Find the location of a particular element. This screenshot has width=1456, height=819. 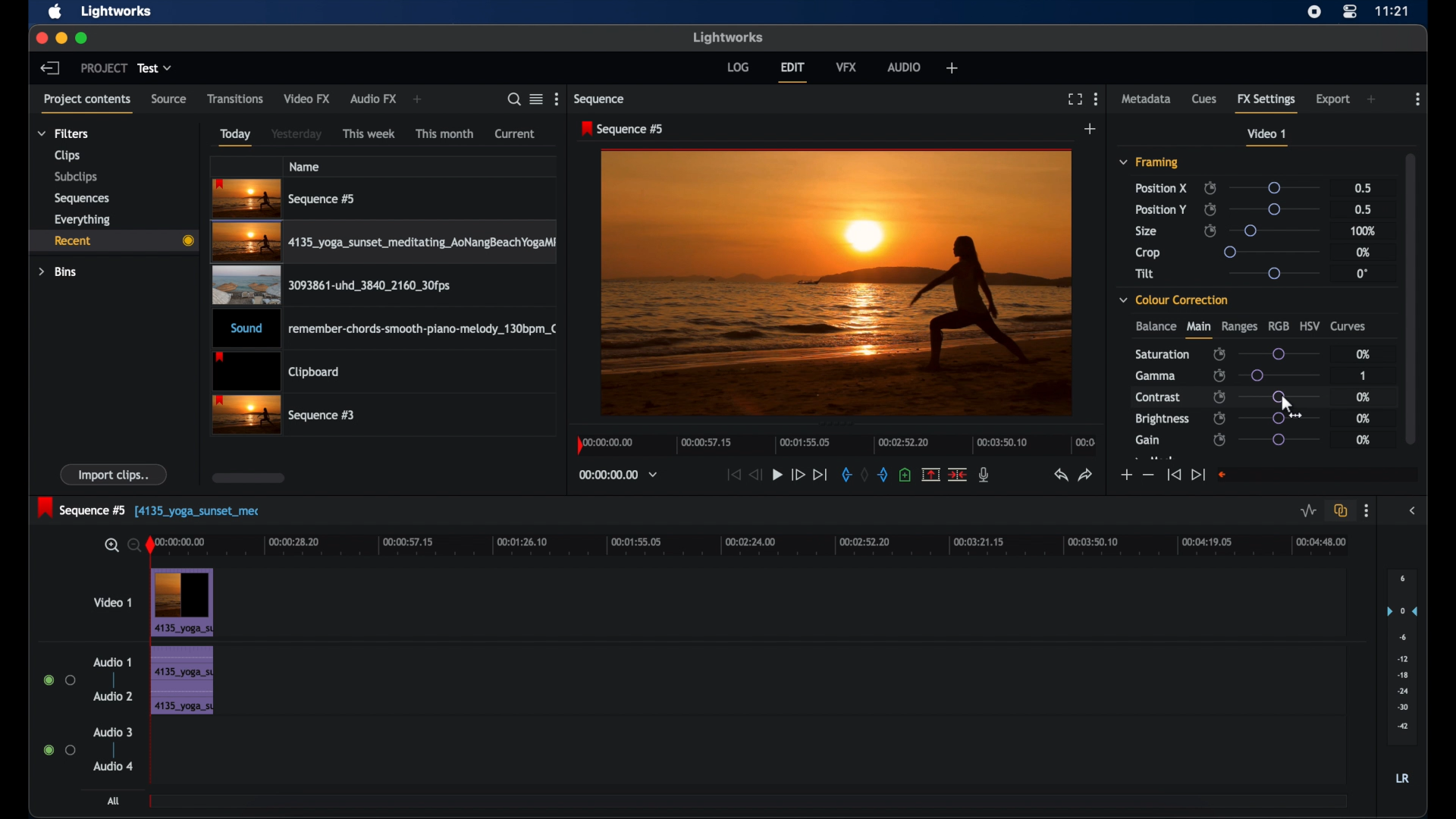

radio button is located at coordinates (59, 680).